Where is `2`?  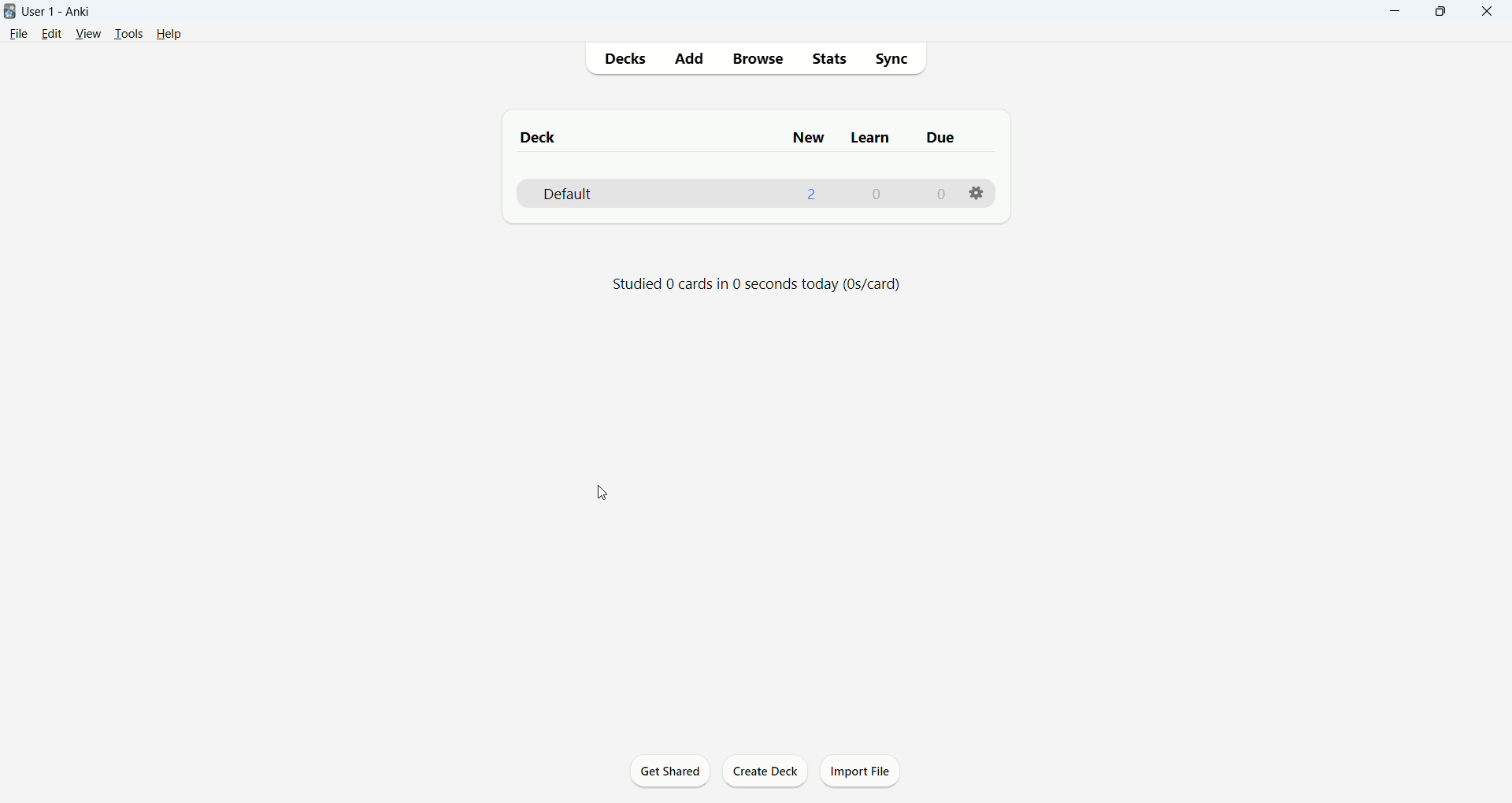 2 is located at coordinates (812, 194).